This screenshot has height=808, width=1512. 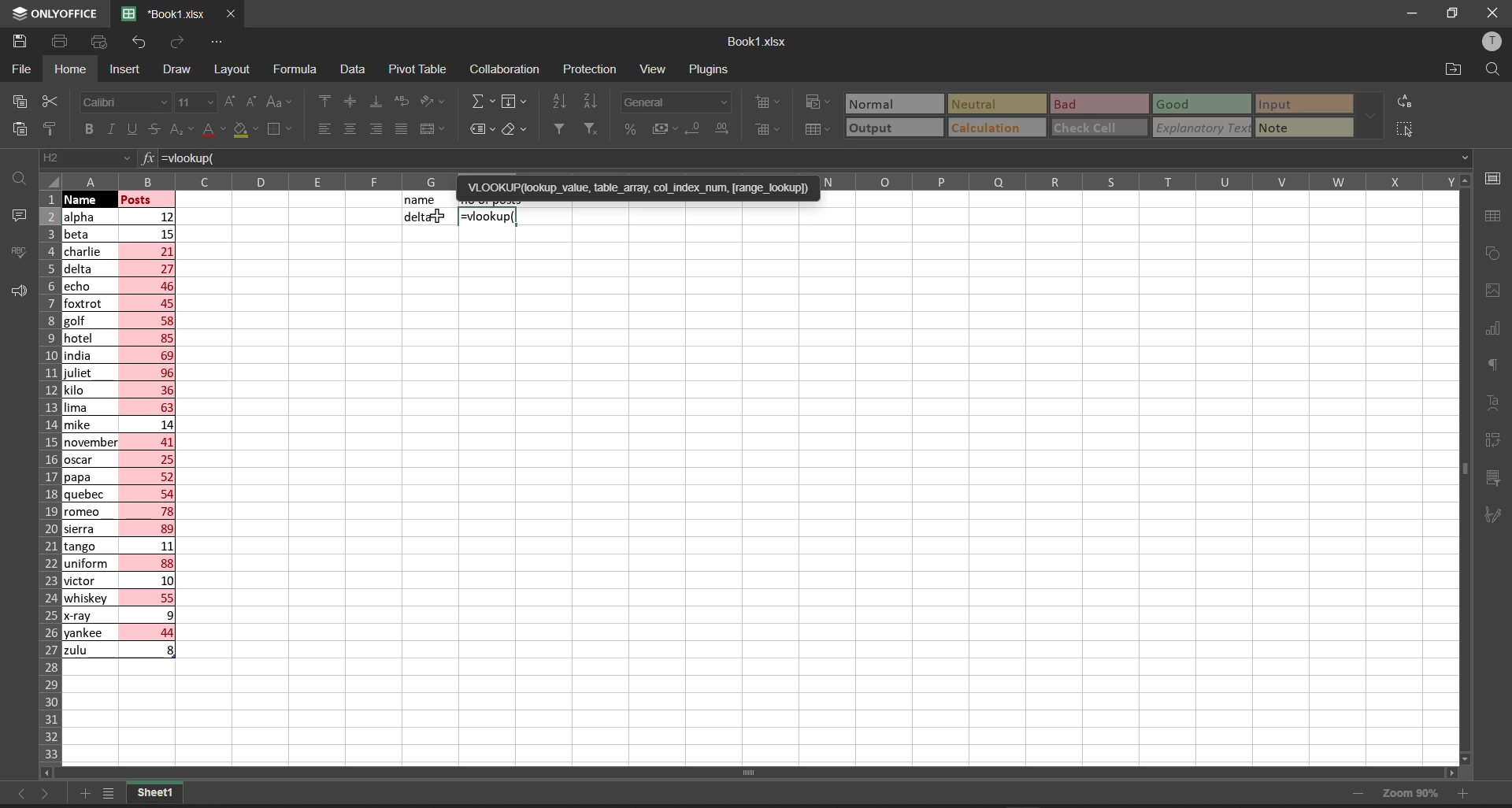 I want to click on delta, so click(x=413, y=218).